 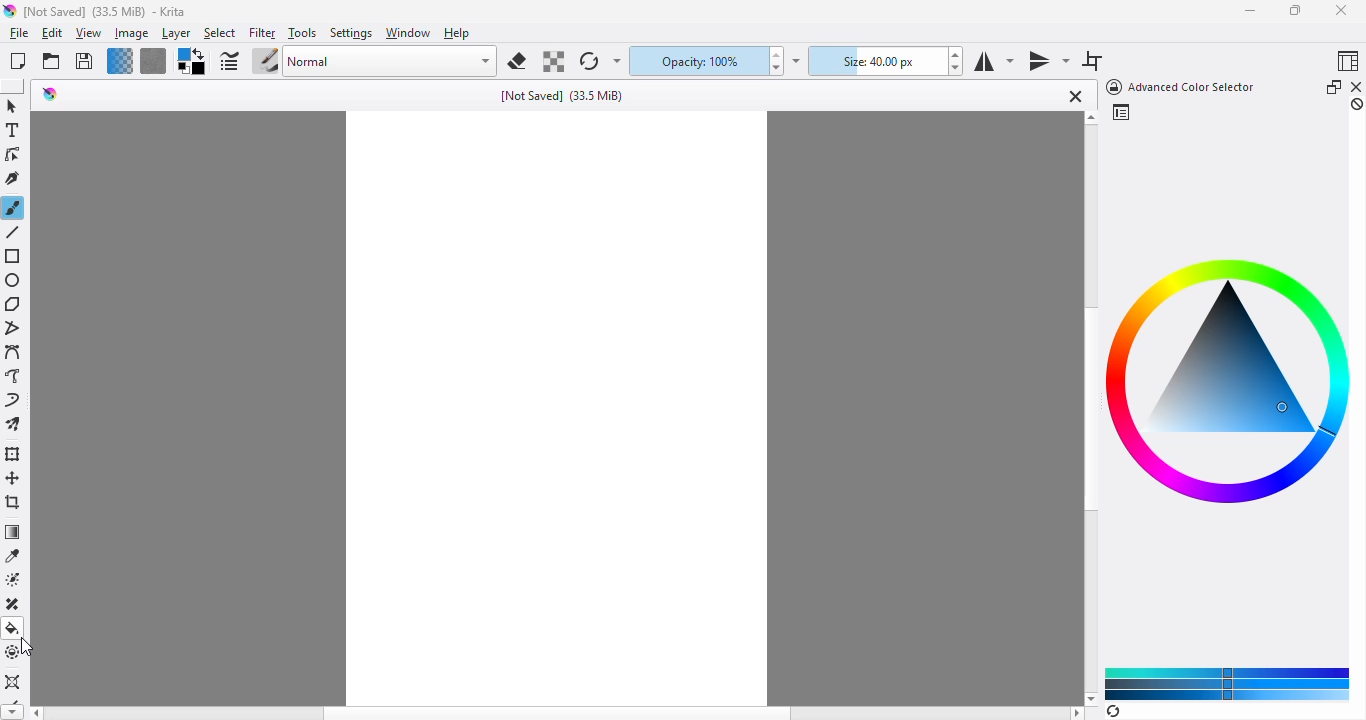 I want to click on reload original preset, so click(x=590, y=61).